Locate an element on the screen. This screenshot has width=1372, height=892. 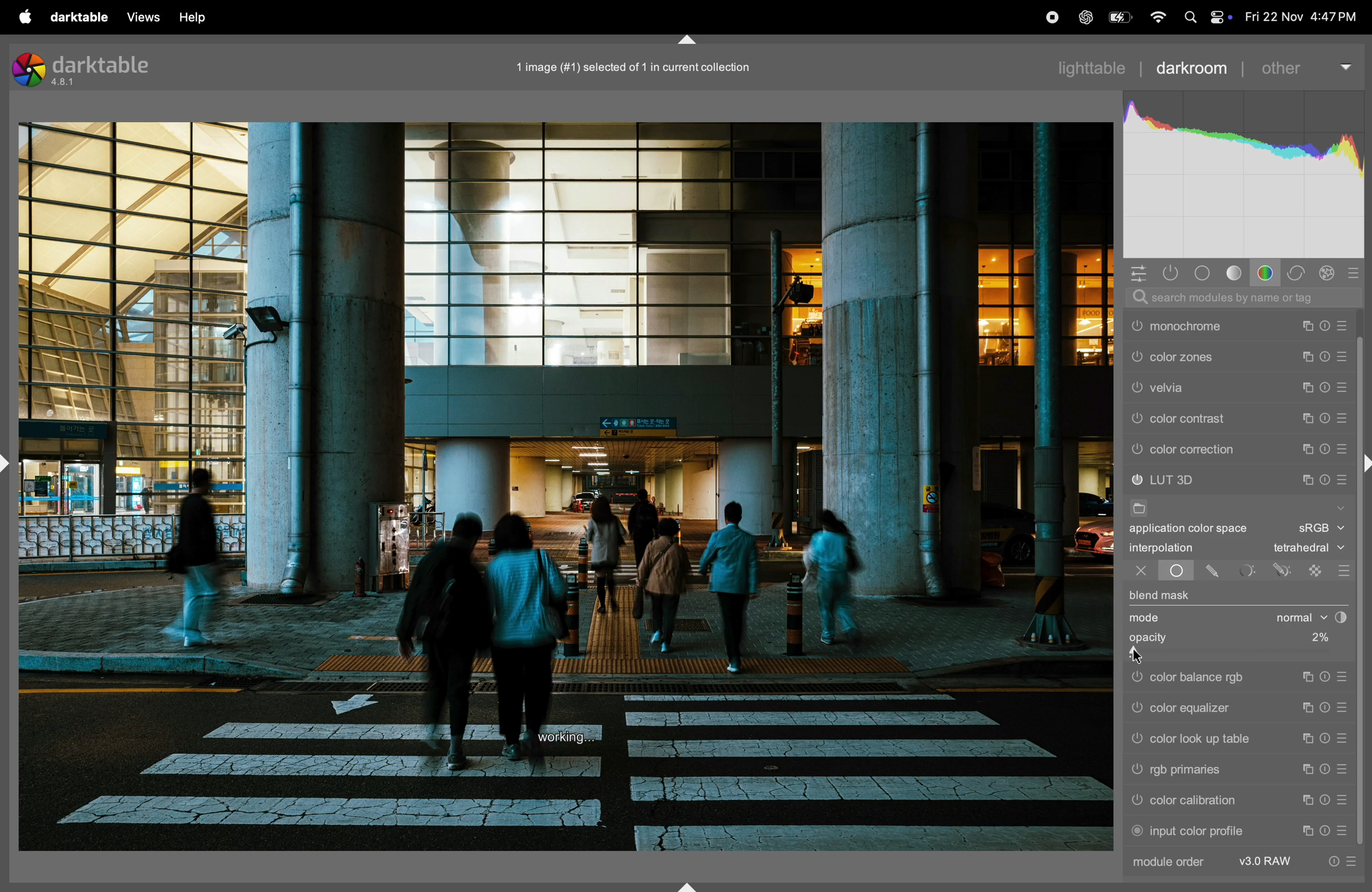
0% is located at coordinates (1310, 636).